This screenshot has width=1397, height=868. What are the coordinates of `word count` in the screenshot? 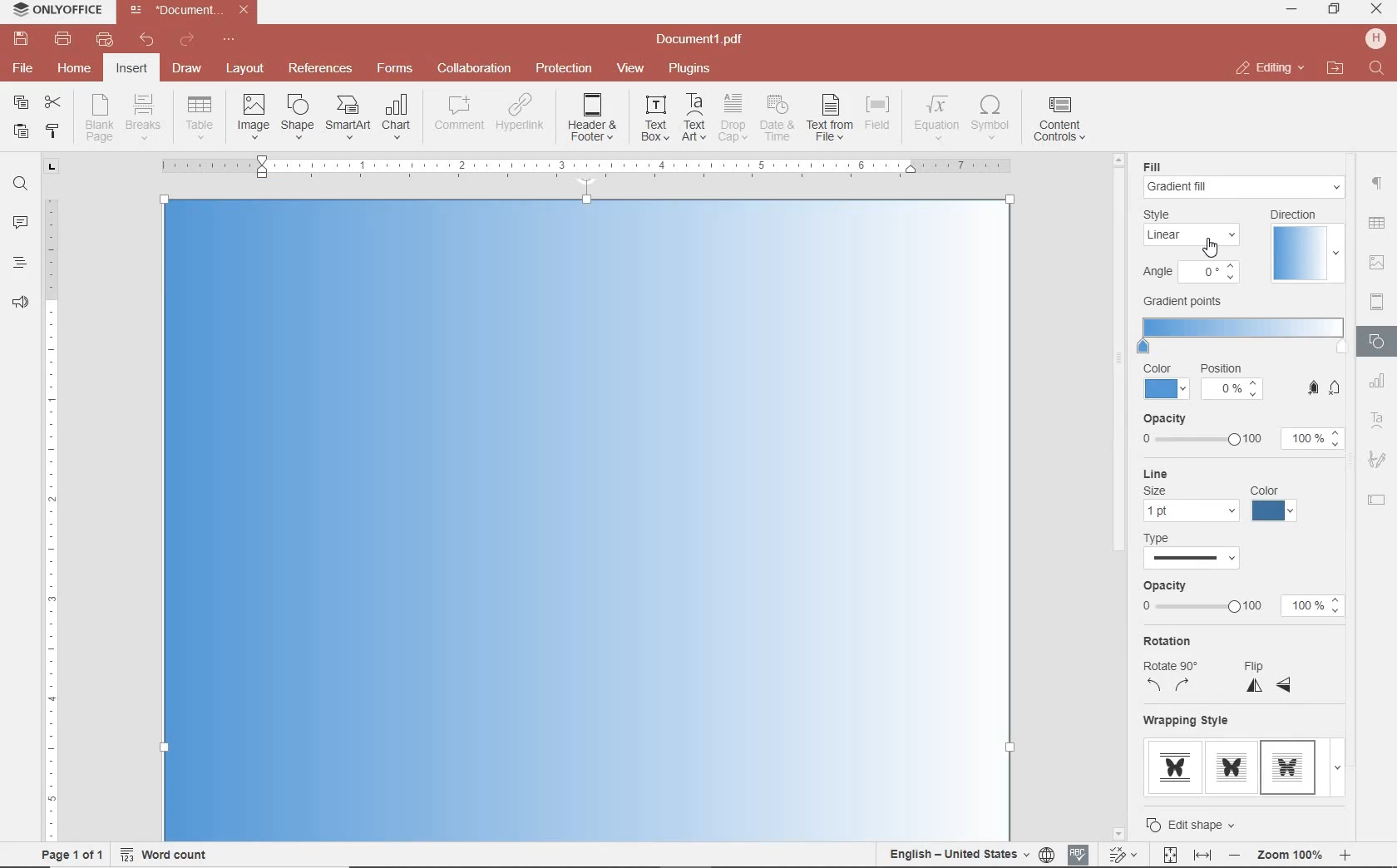 It's located at (170, 855).